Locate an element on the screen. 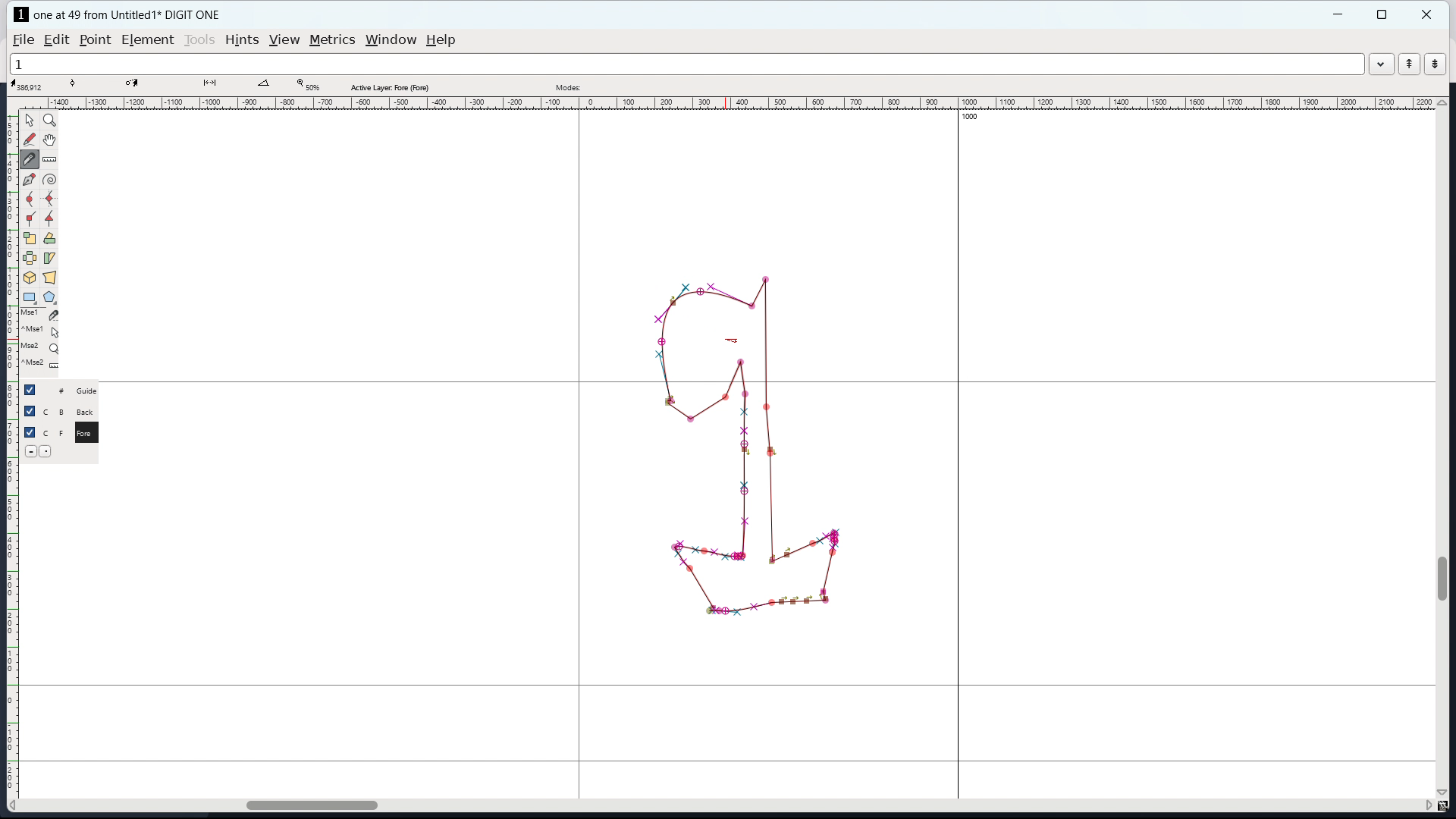  curve splitting done is located at coordinates (669, 301).